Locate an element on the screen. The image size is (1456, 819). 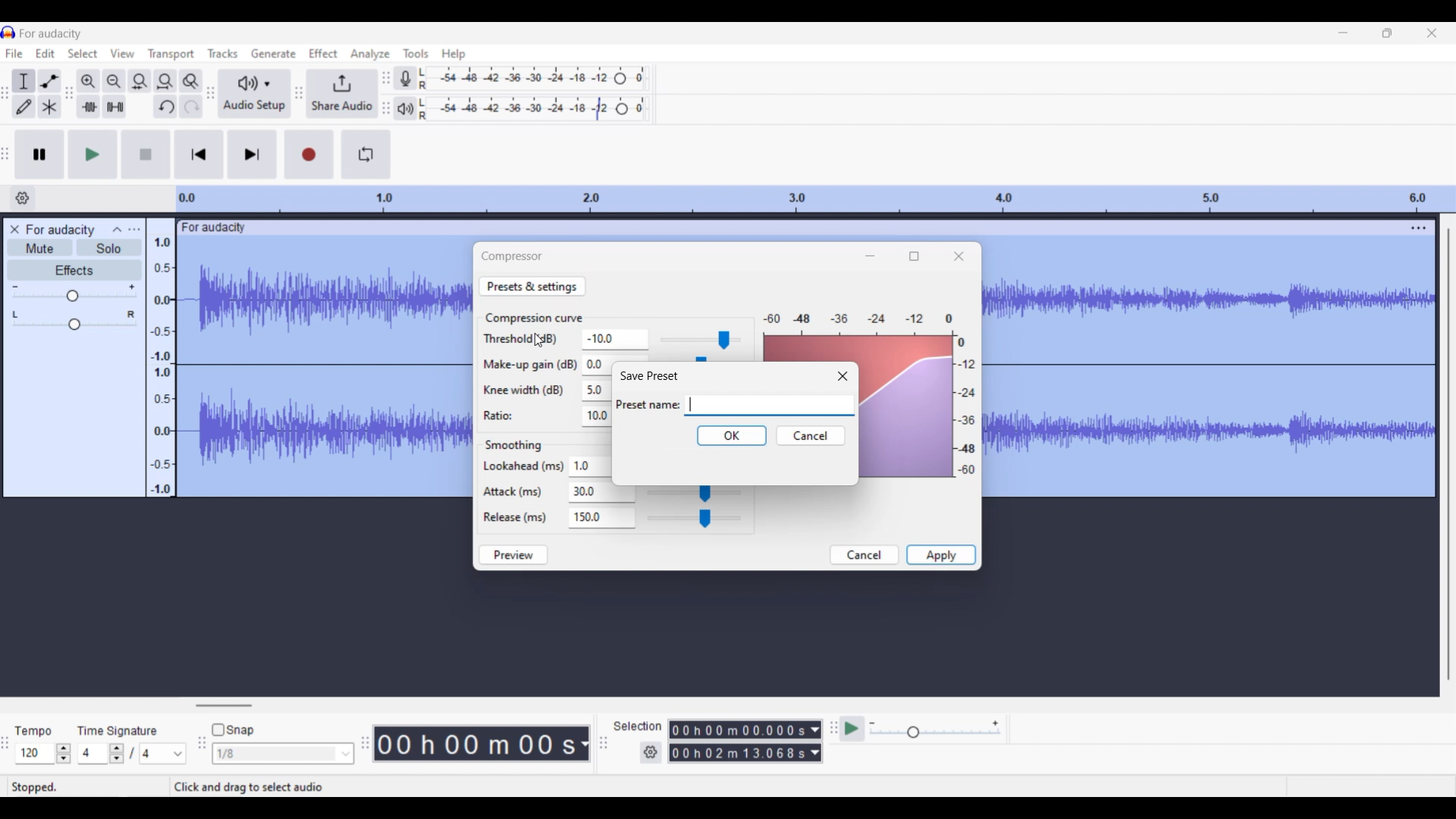
Tracks is located at coordinates (222, 53).